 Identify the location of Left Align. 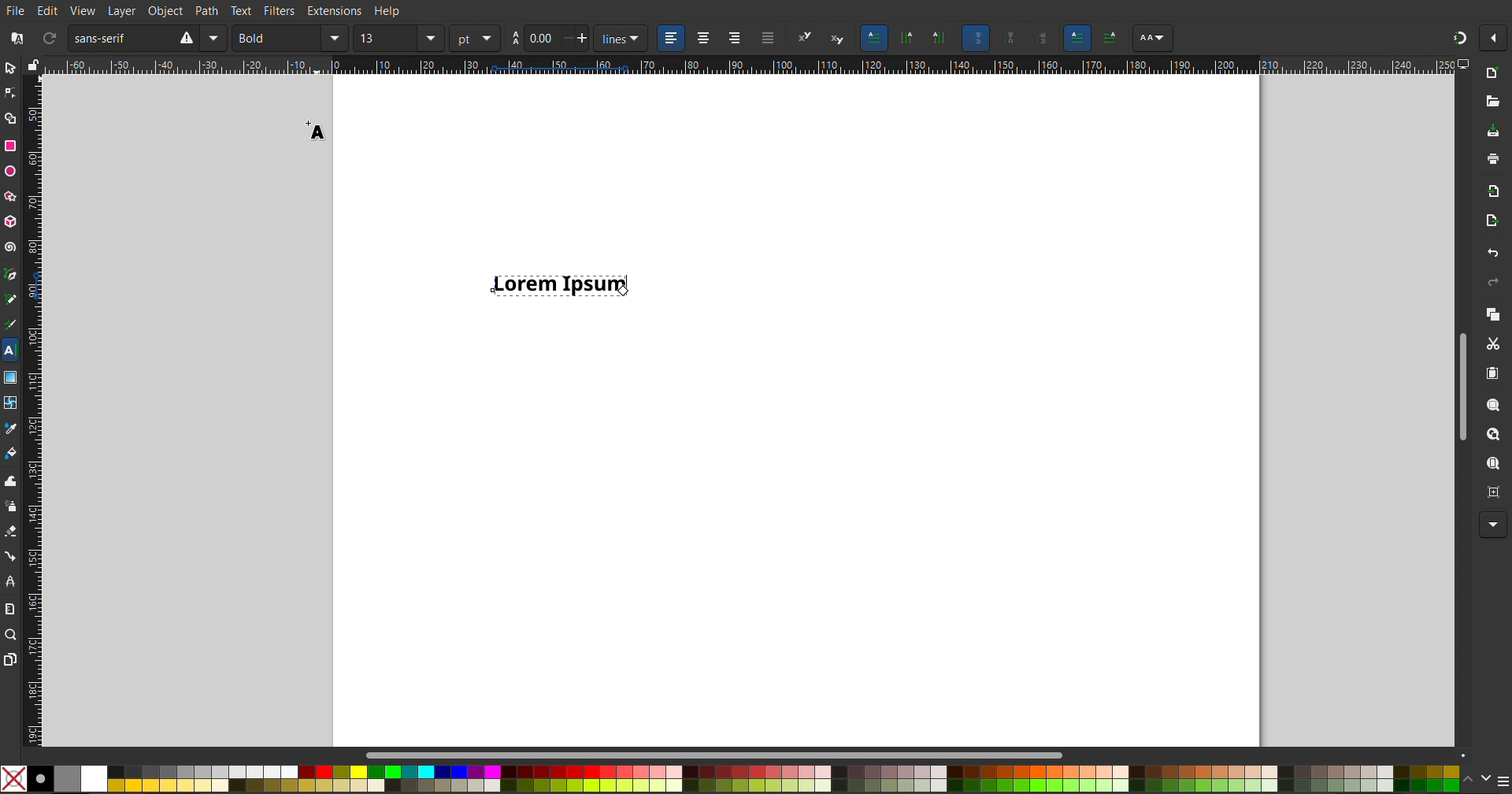
(672, 39).